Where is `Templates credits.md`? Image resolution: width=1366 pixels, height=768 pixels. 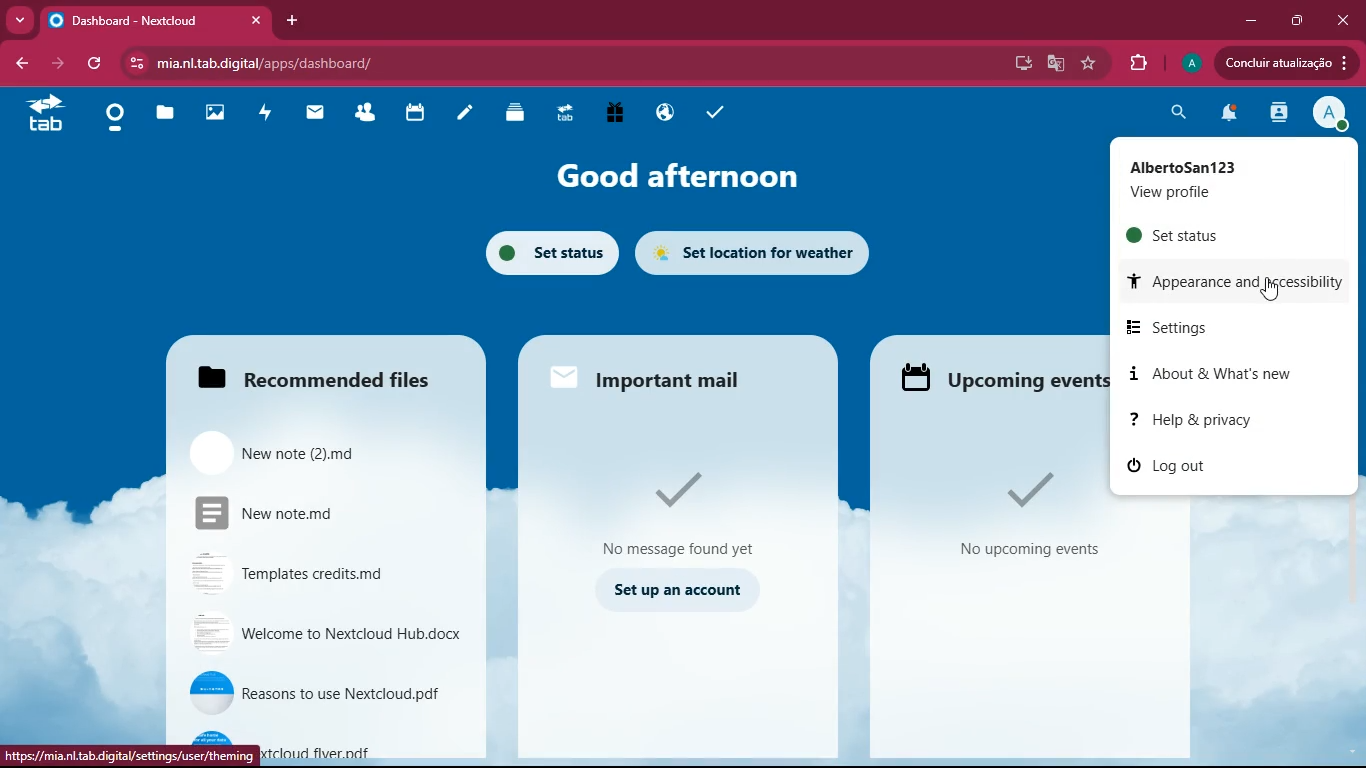 Templates credits.md is located at coordinates (289, 573).